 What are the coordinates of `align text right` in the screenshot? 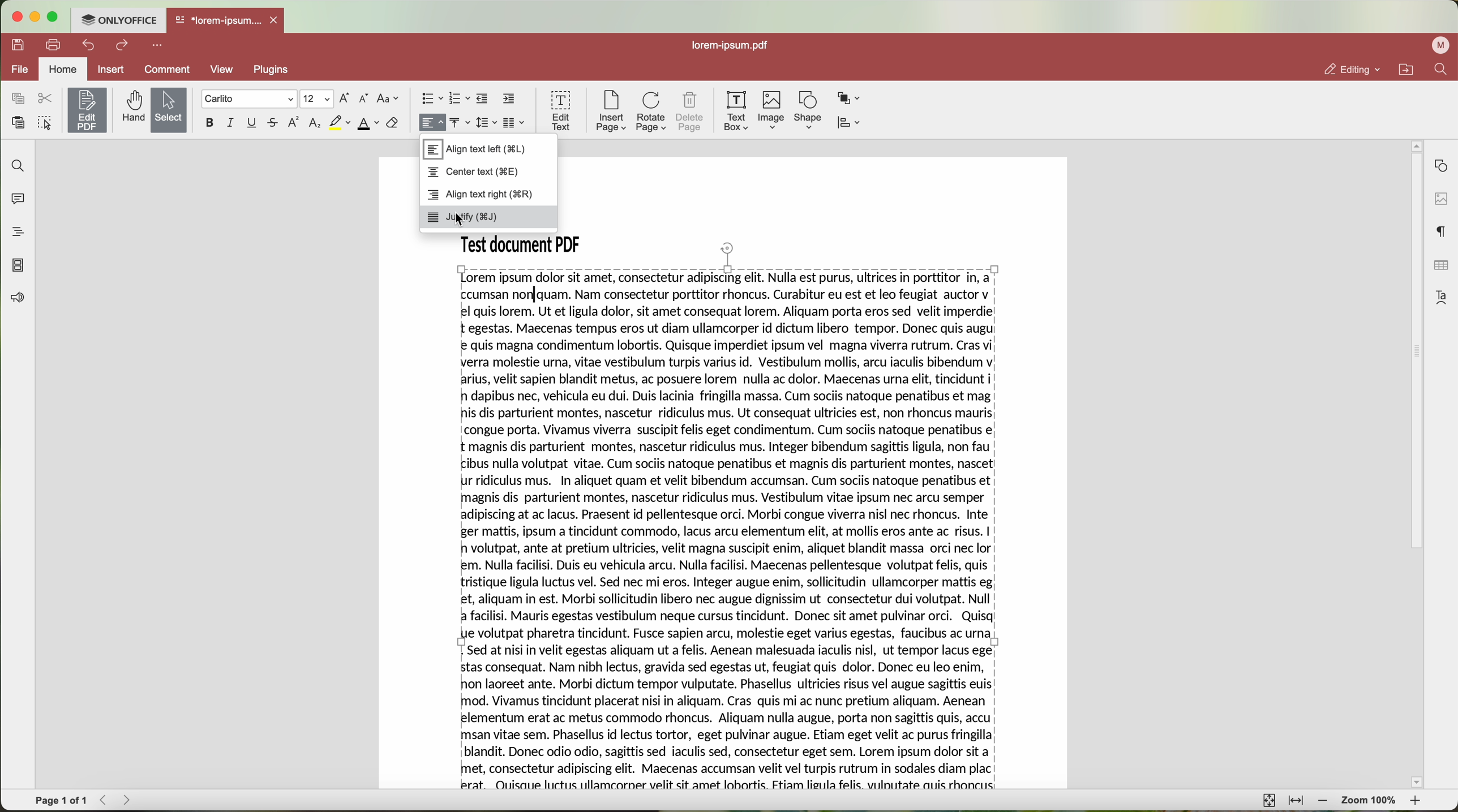 It's located at (481, 196).